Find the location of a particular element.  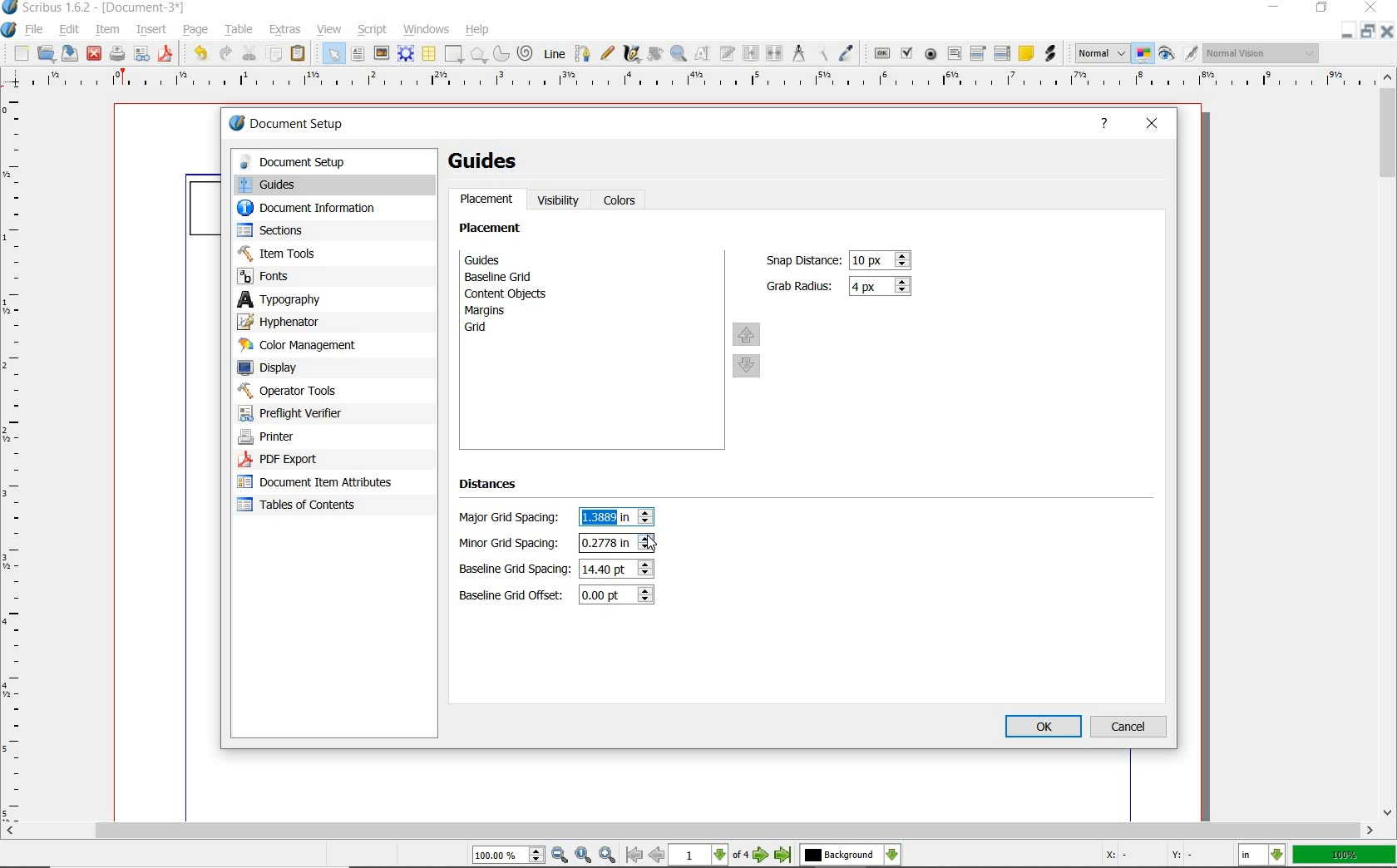

view is located at coordinates (329, 31).